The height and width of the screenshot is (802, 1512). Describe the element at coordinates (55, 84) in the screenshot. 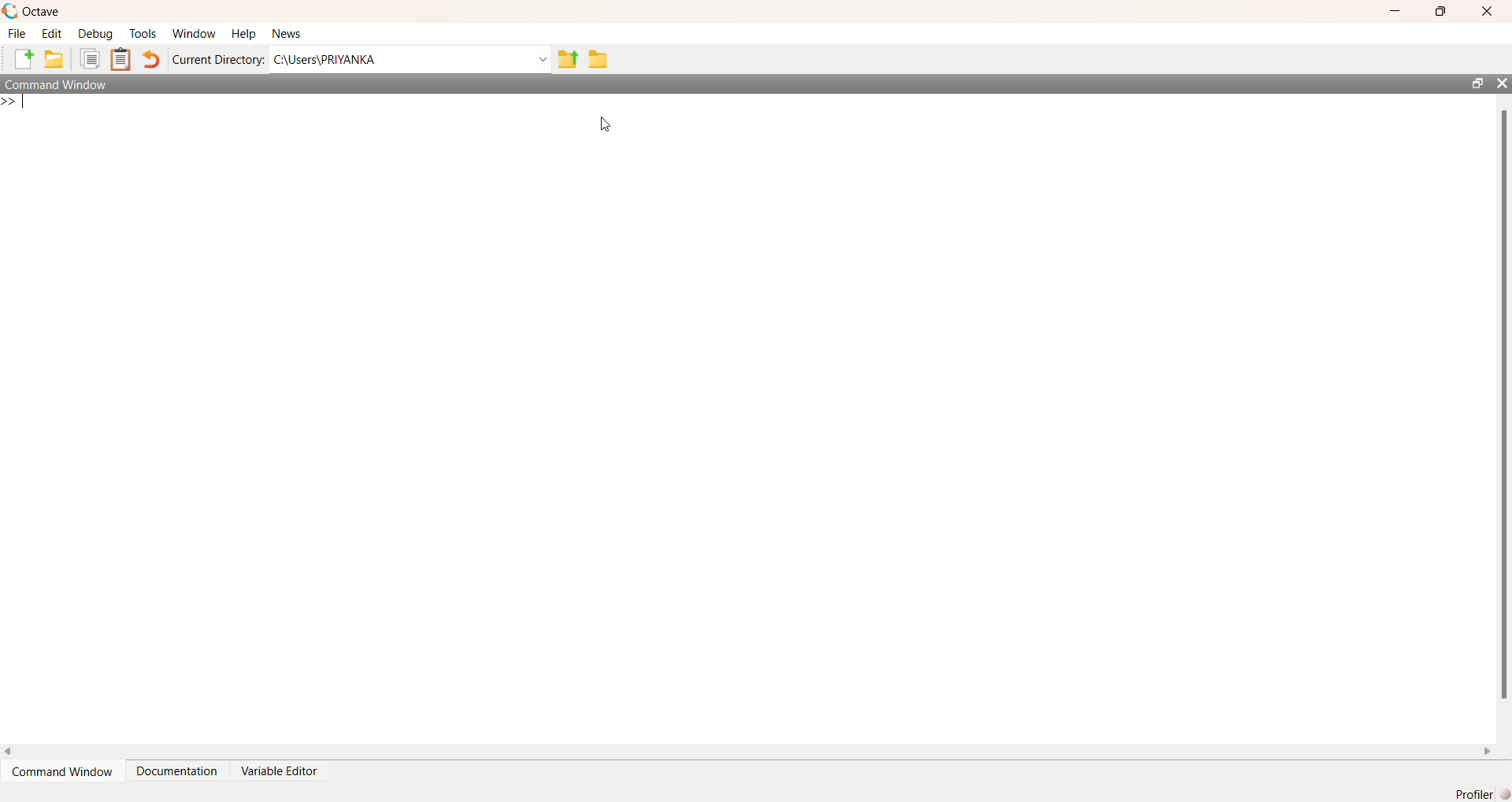

I see `Command Window` at that location.